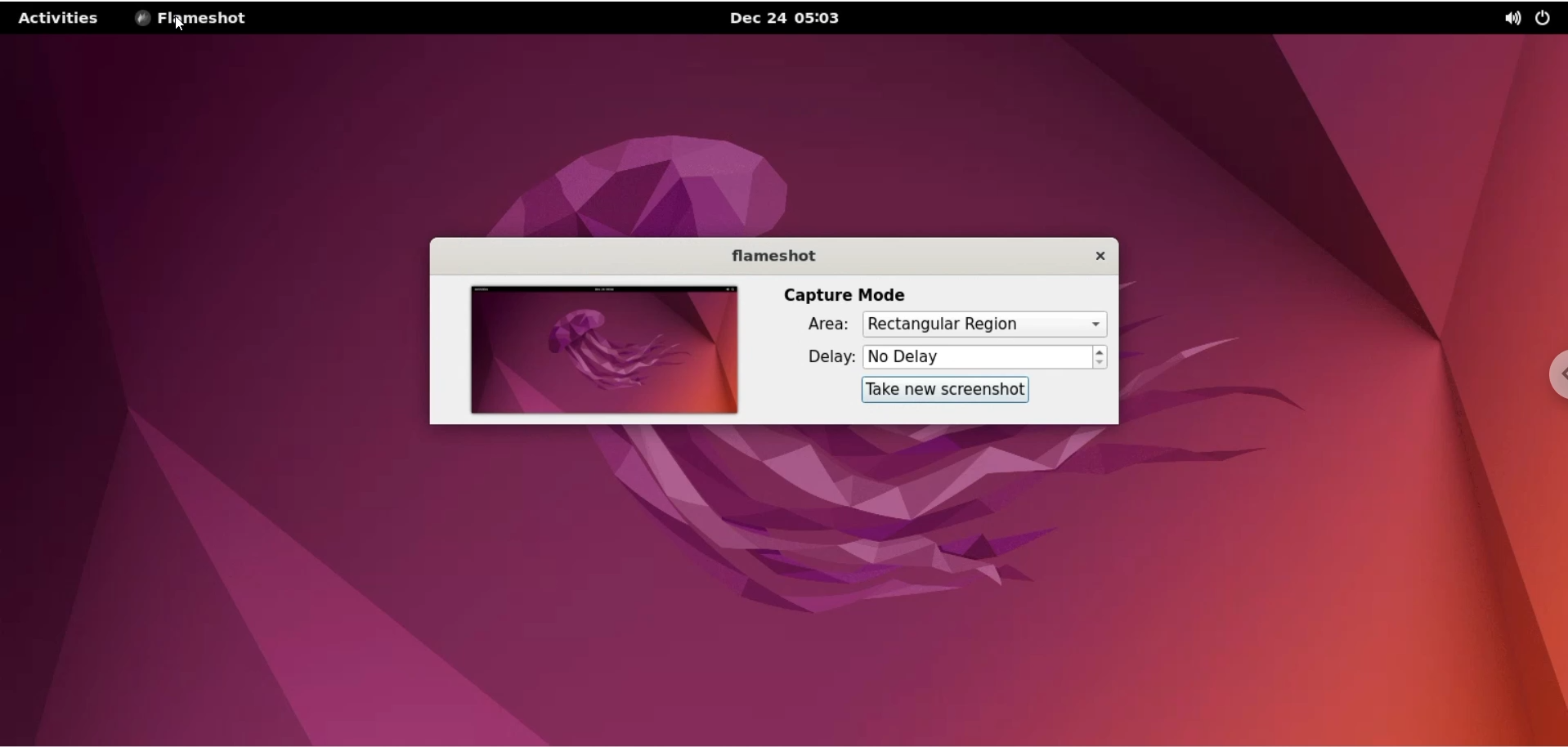  I want to click on Dec 24 05:03, so click(792, 18).